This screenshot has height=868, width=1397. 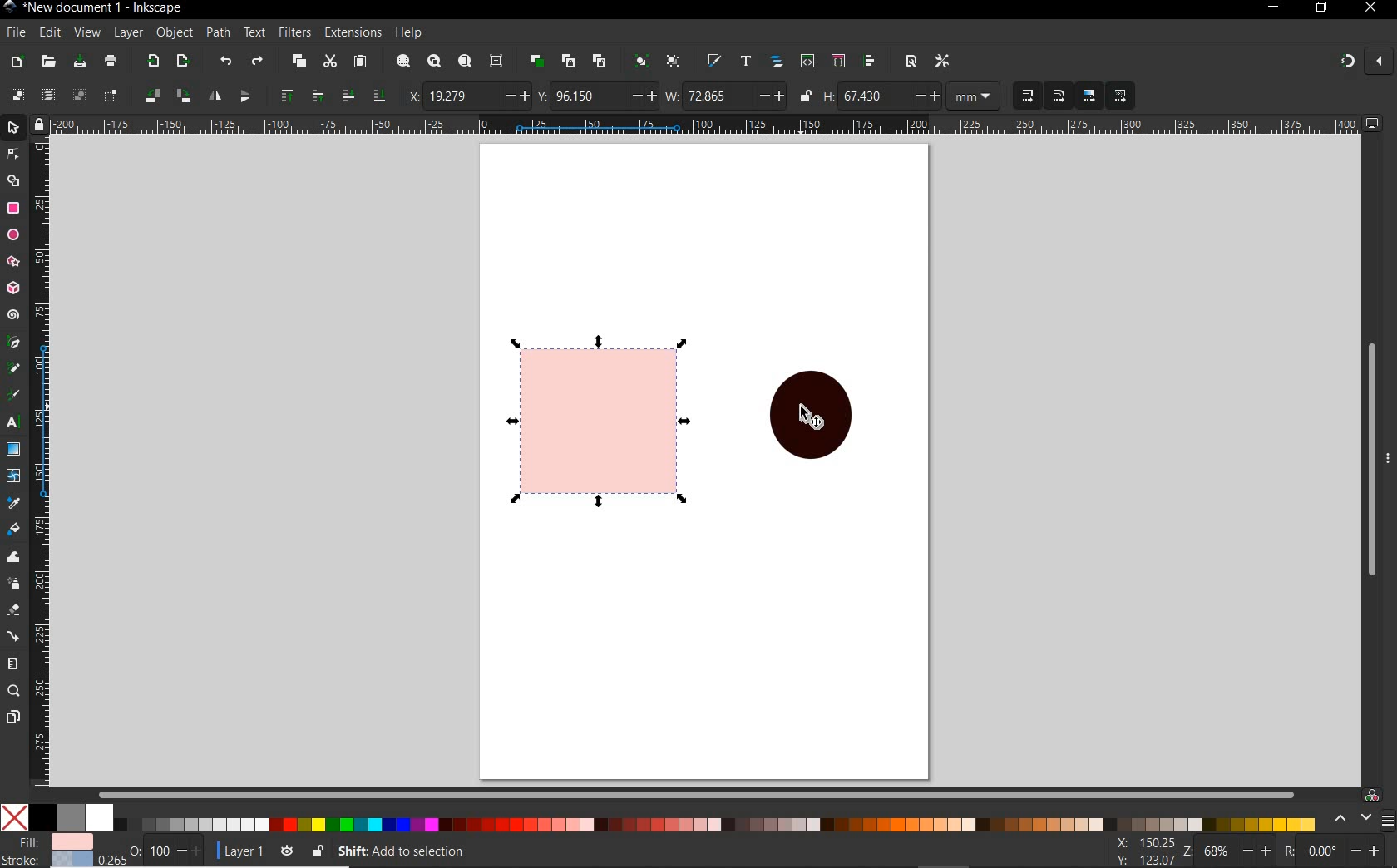 What do you see at coordinates (257, 850) in the screenshot?
I see `layer 1` at bounding box center [257, 850].